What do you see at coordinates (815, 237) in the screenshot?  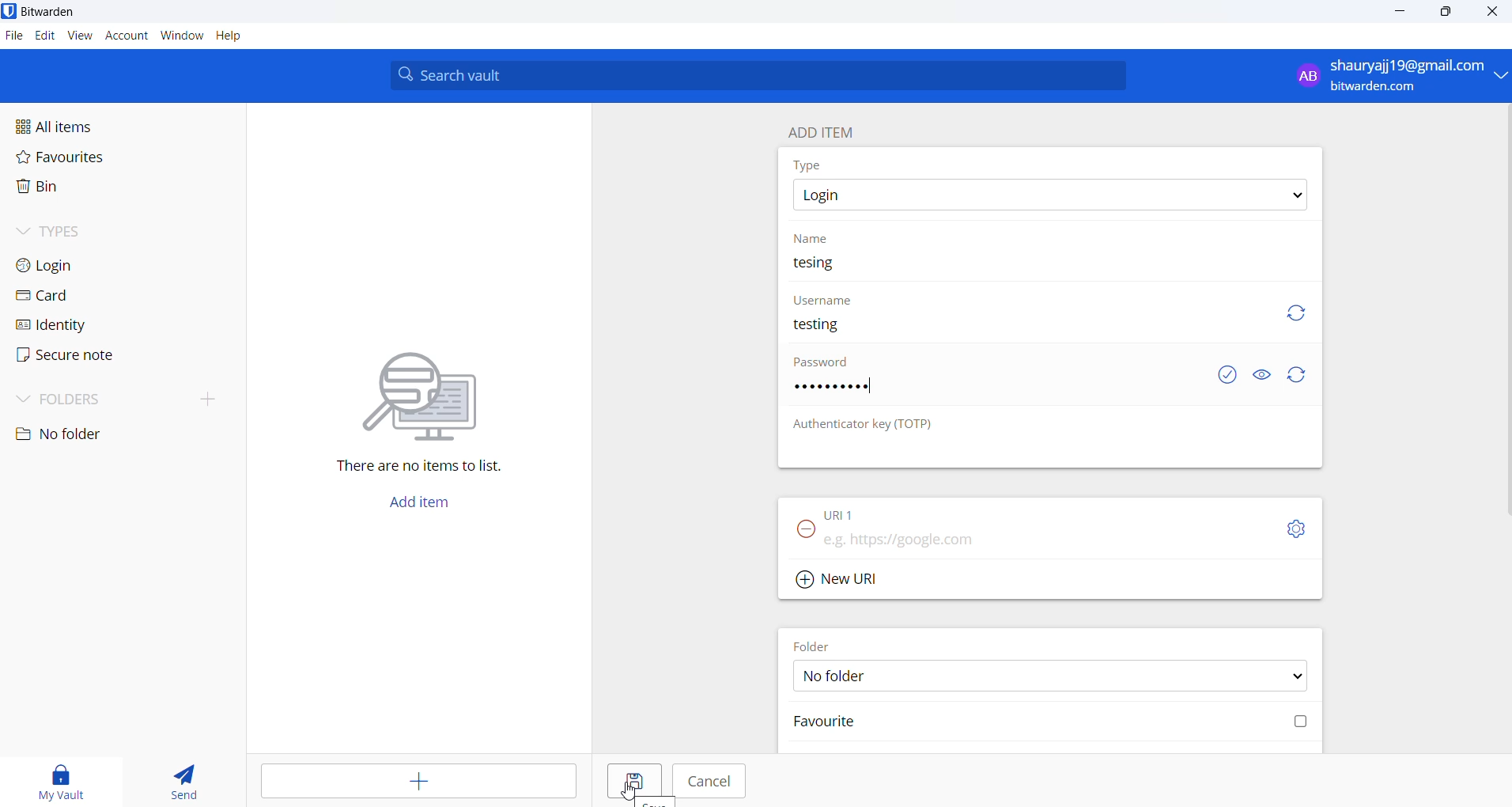 I see `Name` at bounding box center [815, 237].